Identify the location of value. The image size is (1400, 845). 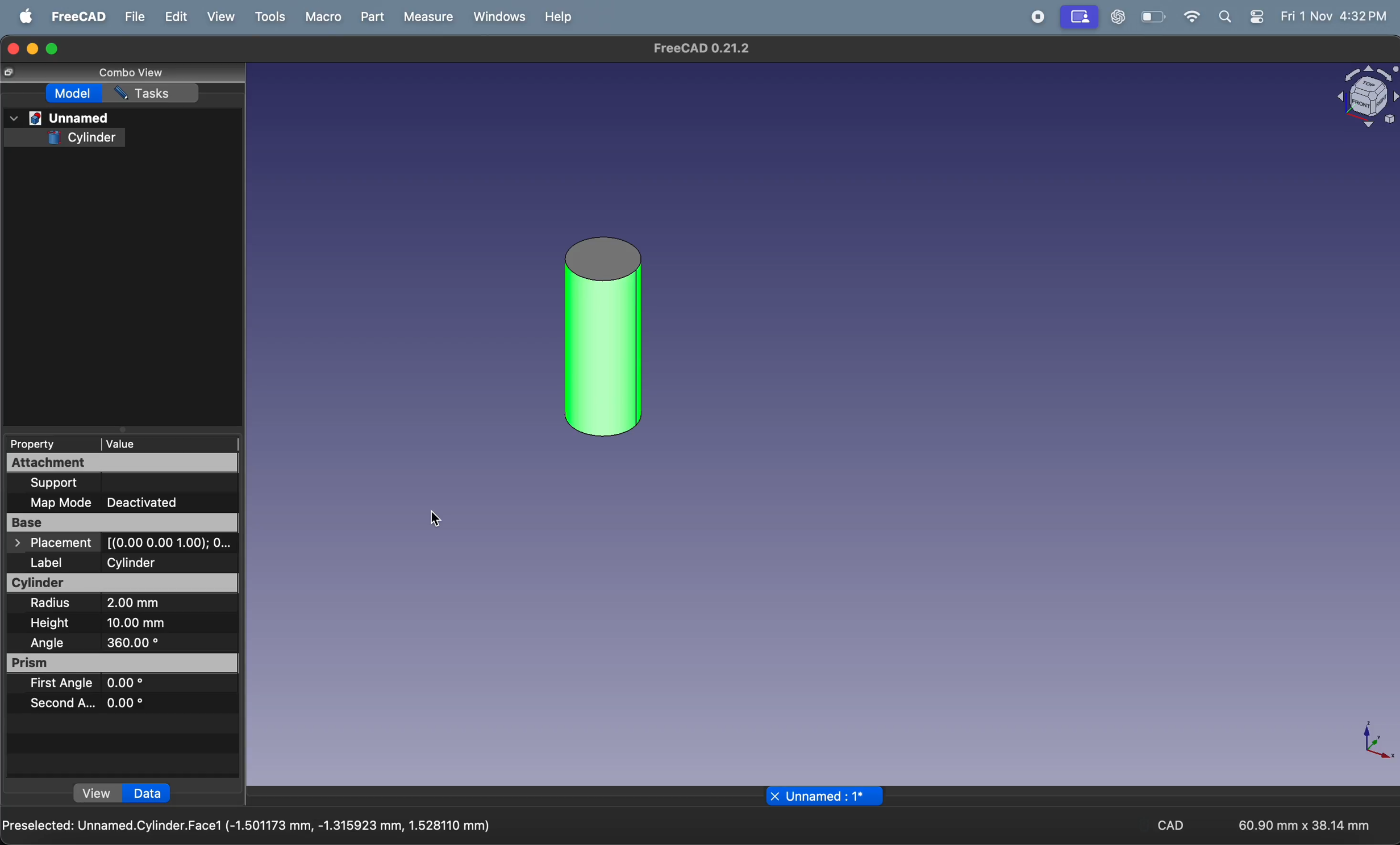
(169, 443).